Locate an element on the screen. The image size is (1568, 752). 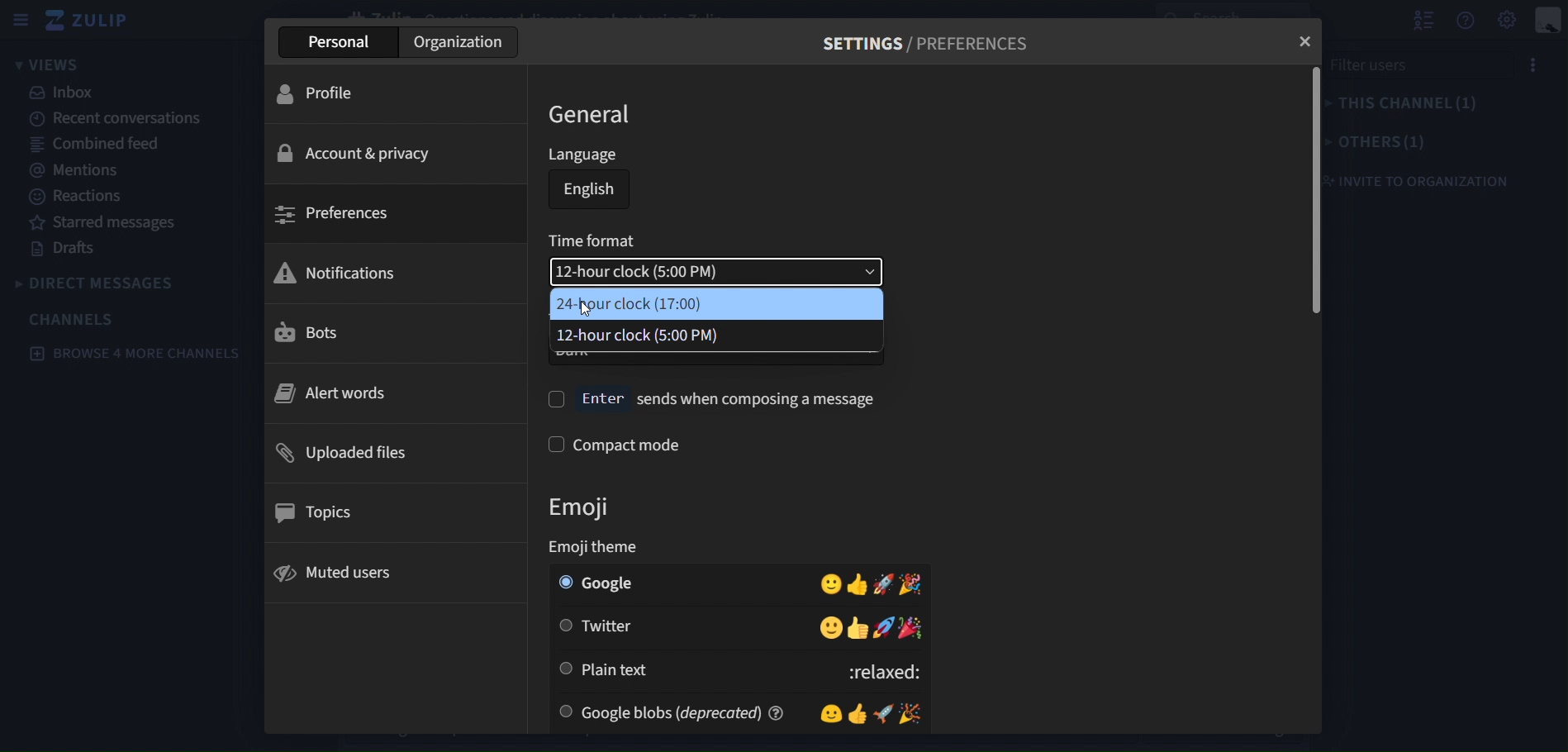
options is located at coordinates (1533, 61).